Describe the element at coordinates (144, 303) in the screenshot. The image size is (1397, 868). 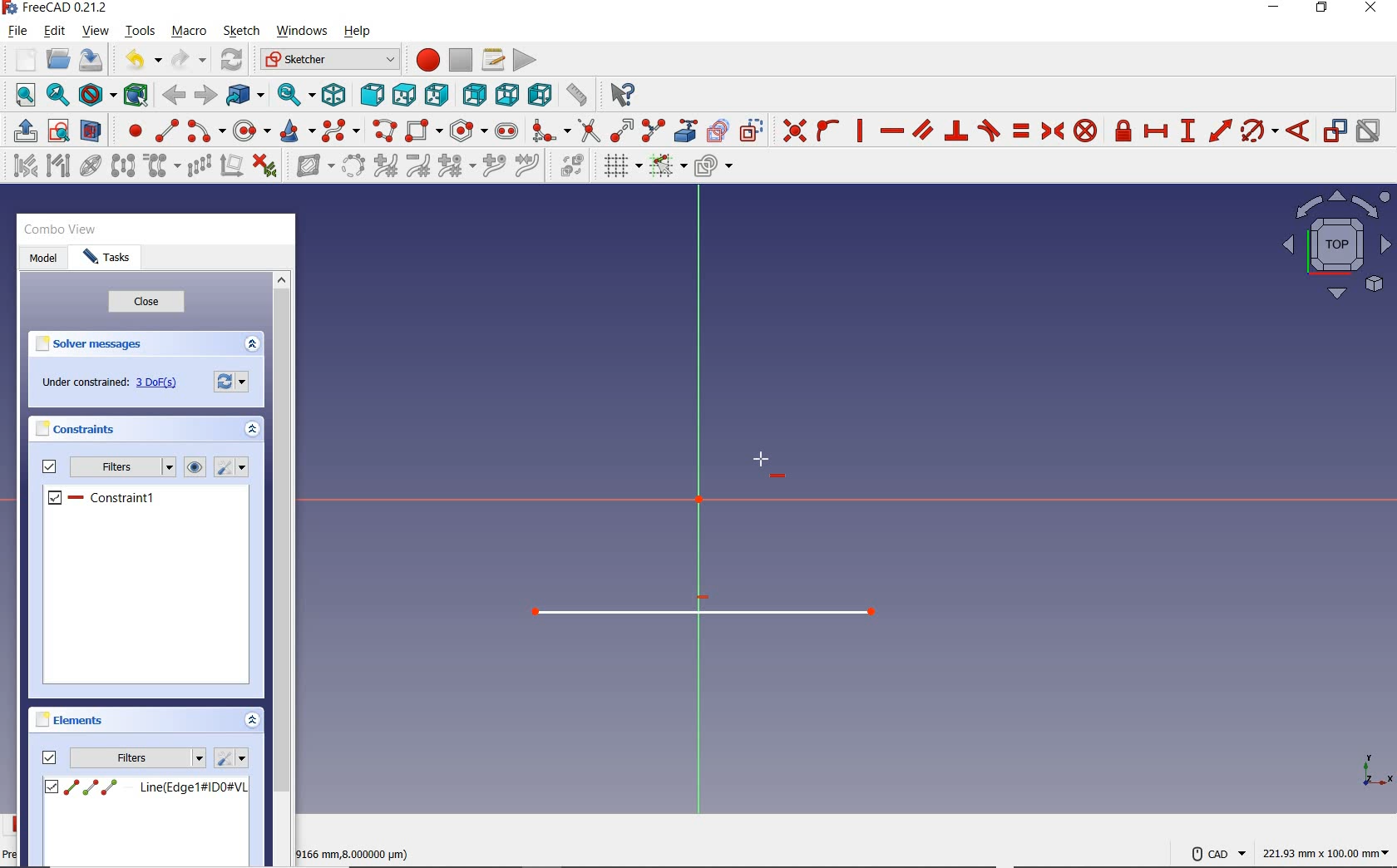
I see `CLOSE` at that location.